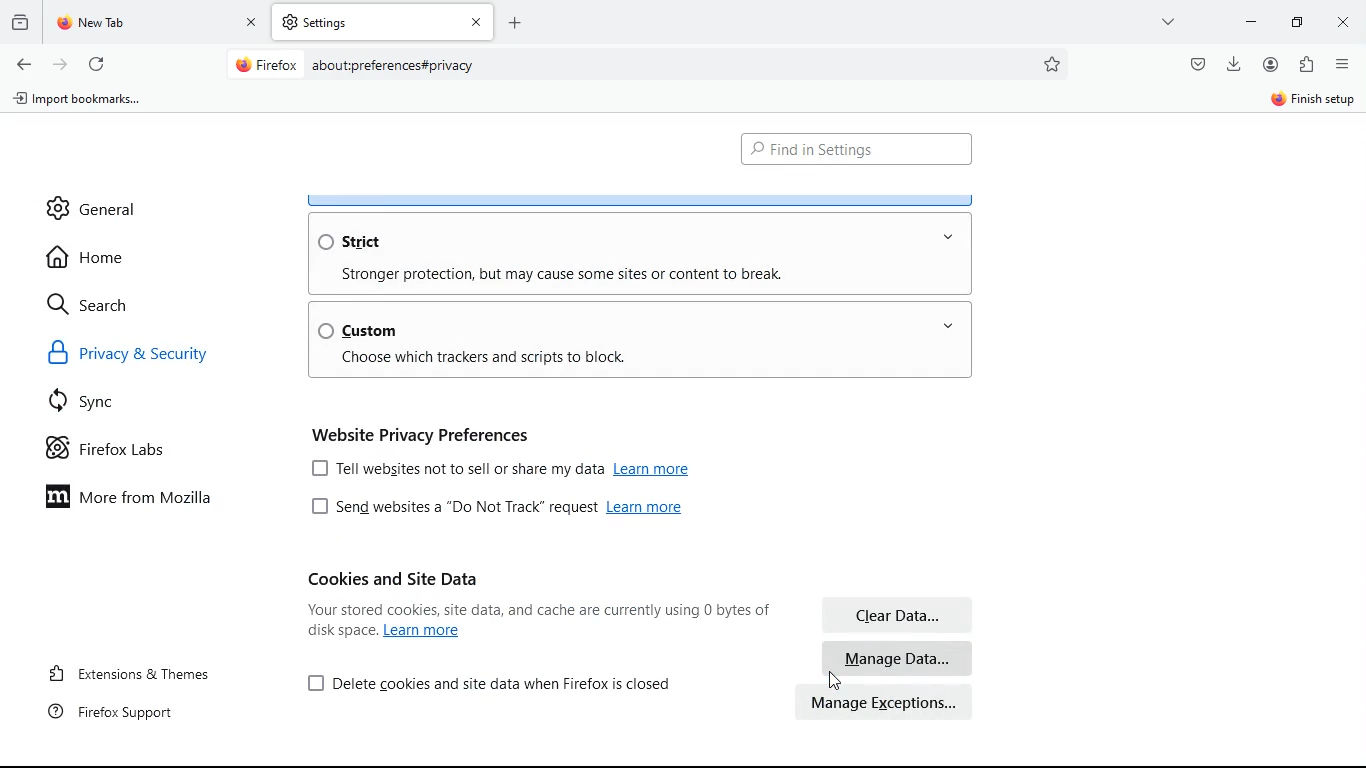  Describe the element at coordinates (394, 66) in the screenshot. I see `about:preferences#privacy` at that location.